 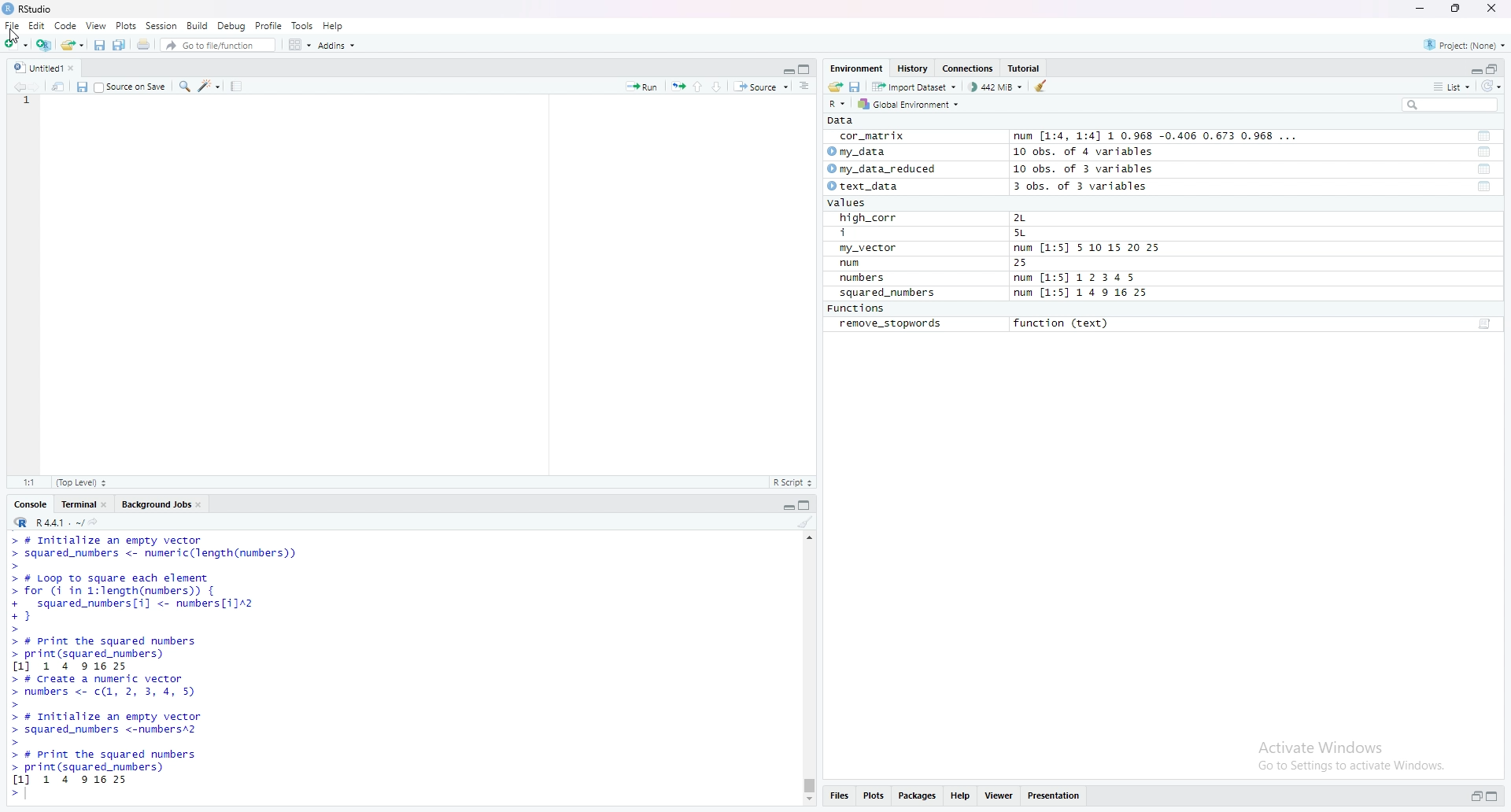 I want to click on Environment, so click(x=854, y=68).